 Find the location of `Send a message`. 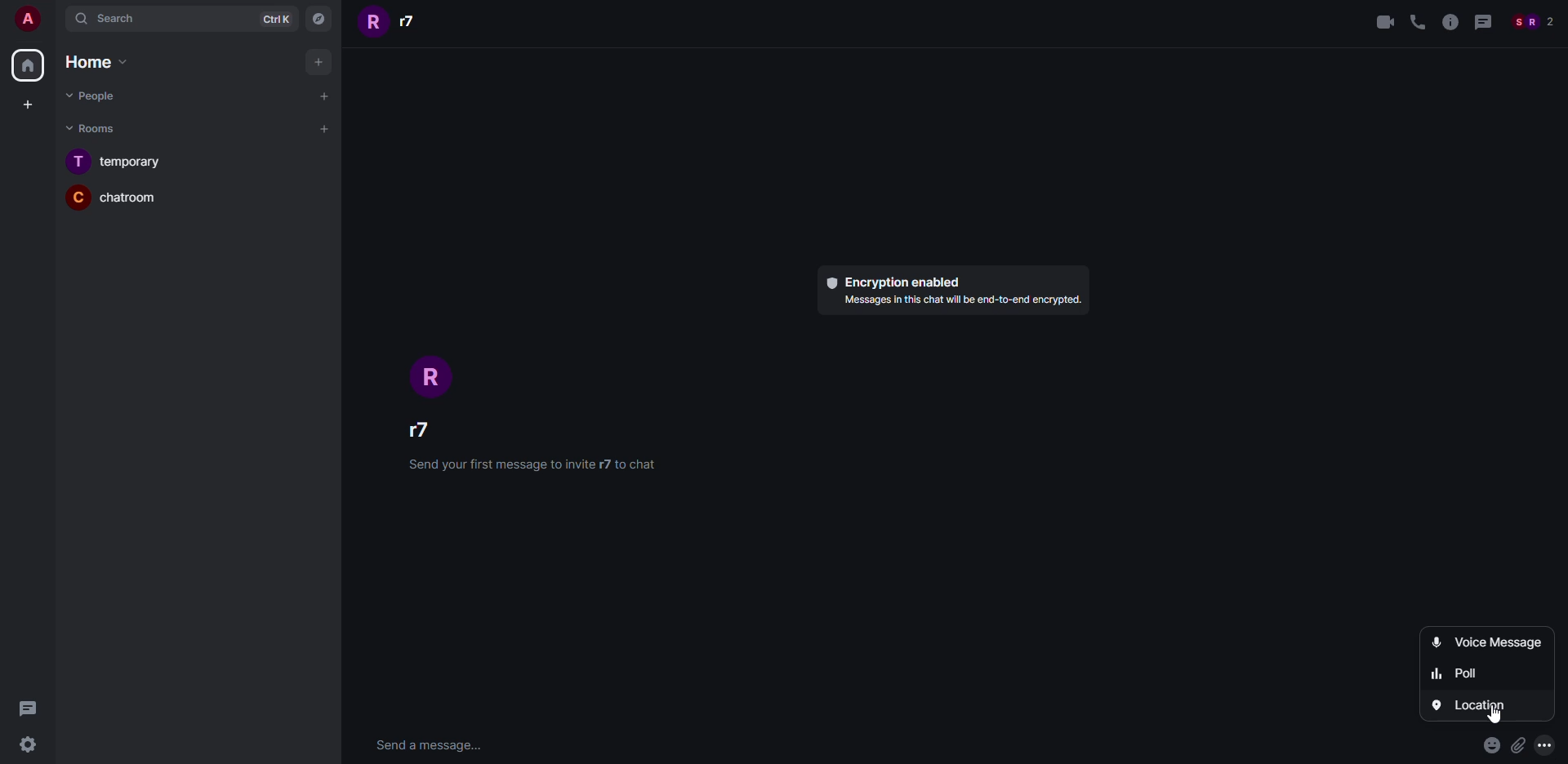

Send a message is located at coordinates (429, 747).